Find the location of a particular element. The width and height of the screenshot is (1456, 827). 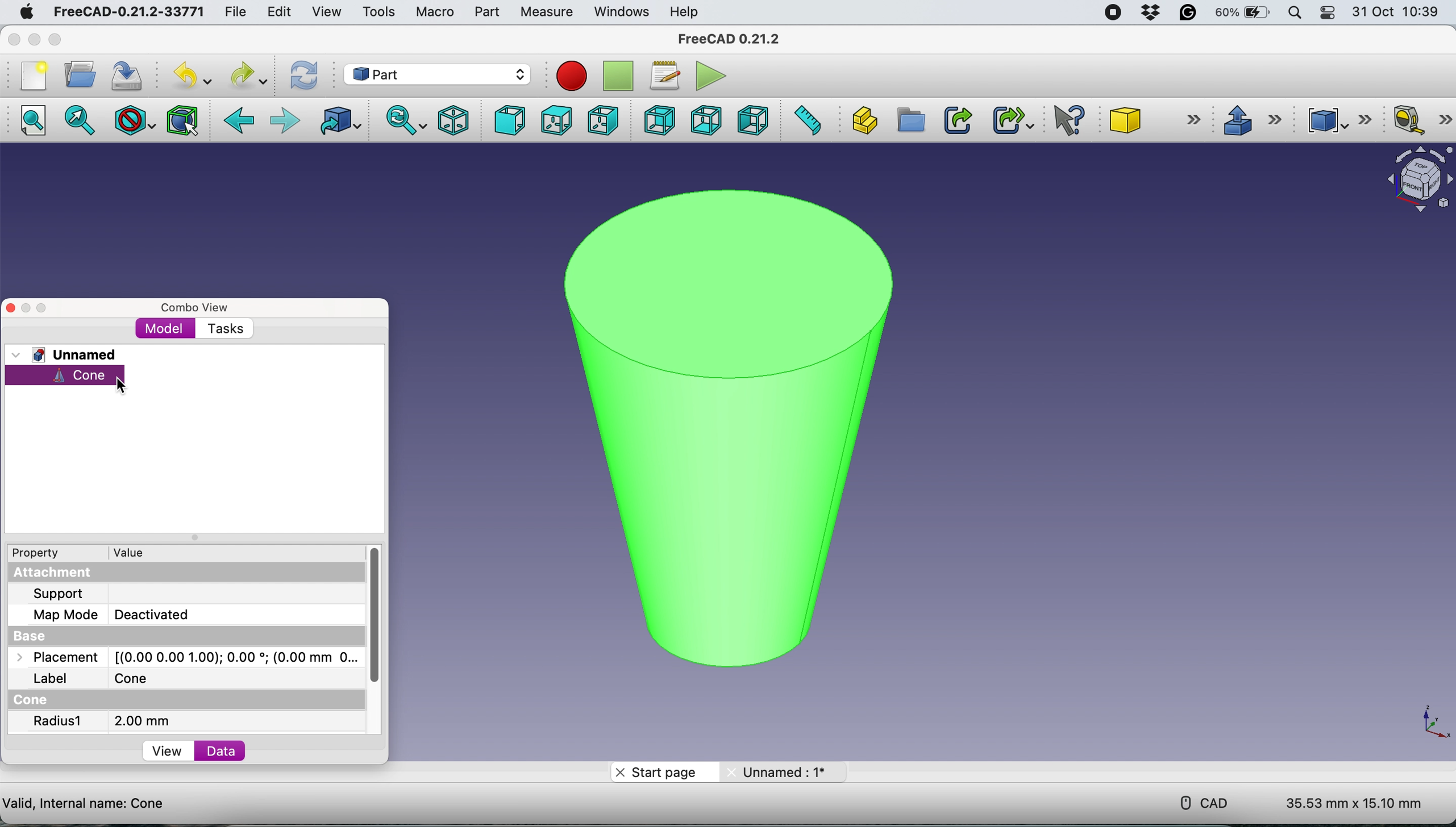

radius is located at coordinates (59, 722).